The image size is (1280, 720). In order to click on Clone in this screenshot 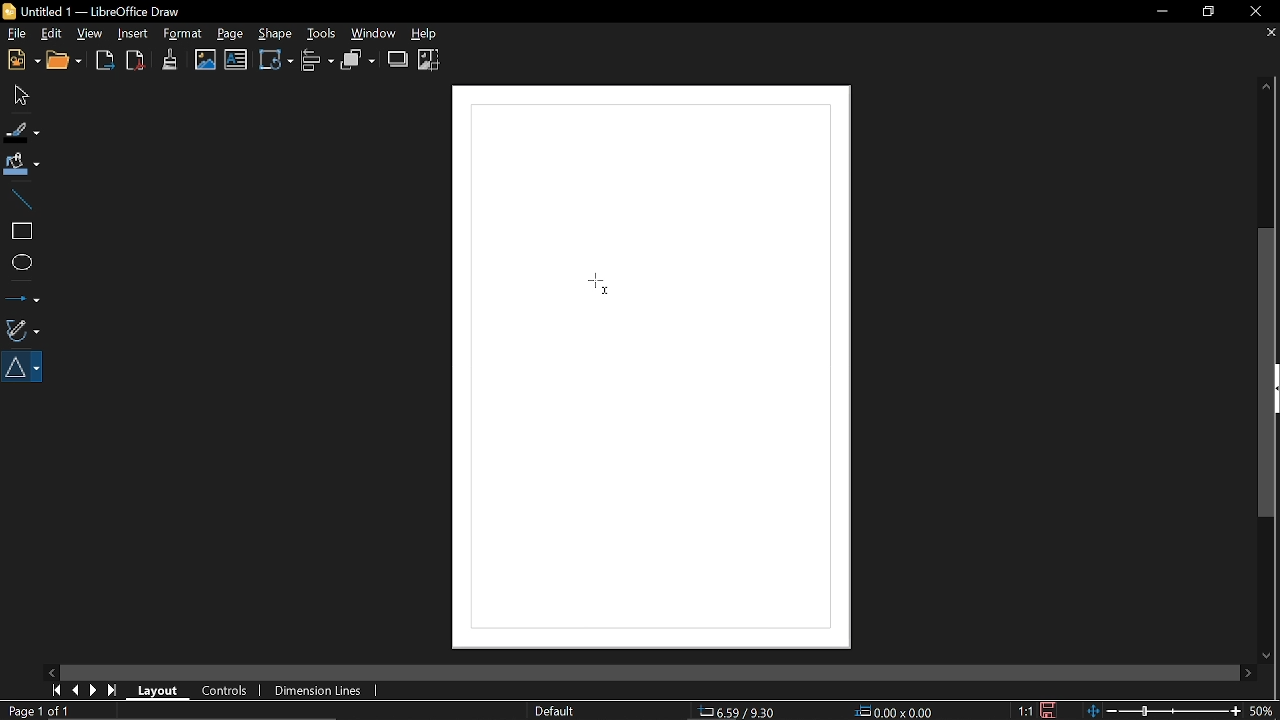, I will do `click(170, 59)`.